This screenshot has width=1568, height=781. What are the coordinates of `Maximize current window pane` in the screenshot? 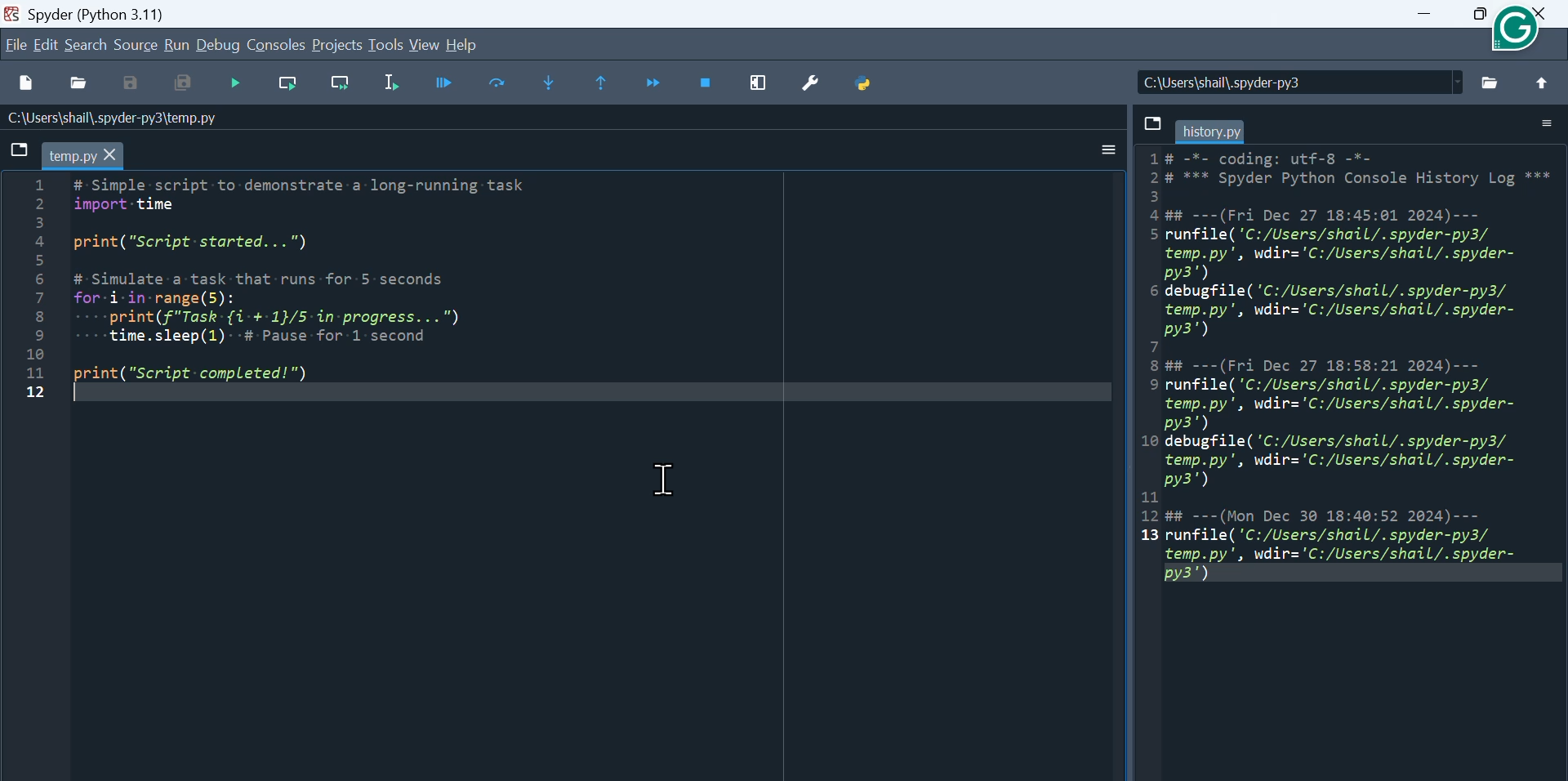 It's located at (763, 84).